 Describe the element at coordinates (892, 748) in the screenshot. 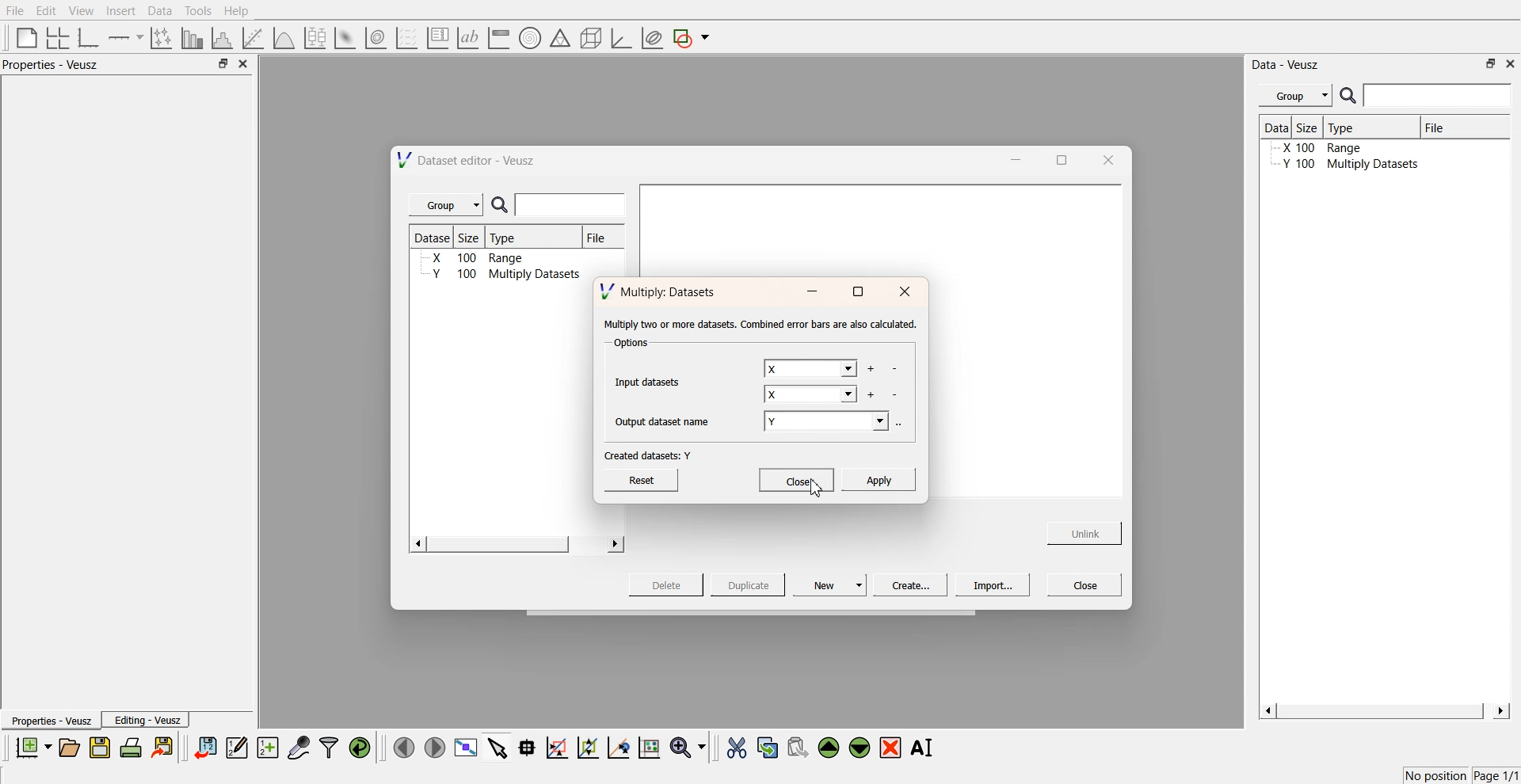

I see `remove the selected widgets` at that location.